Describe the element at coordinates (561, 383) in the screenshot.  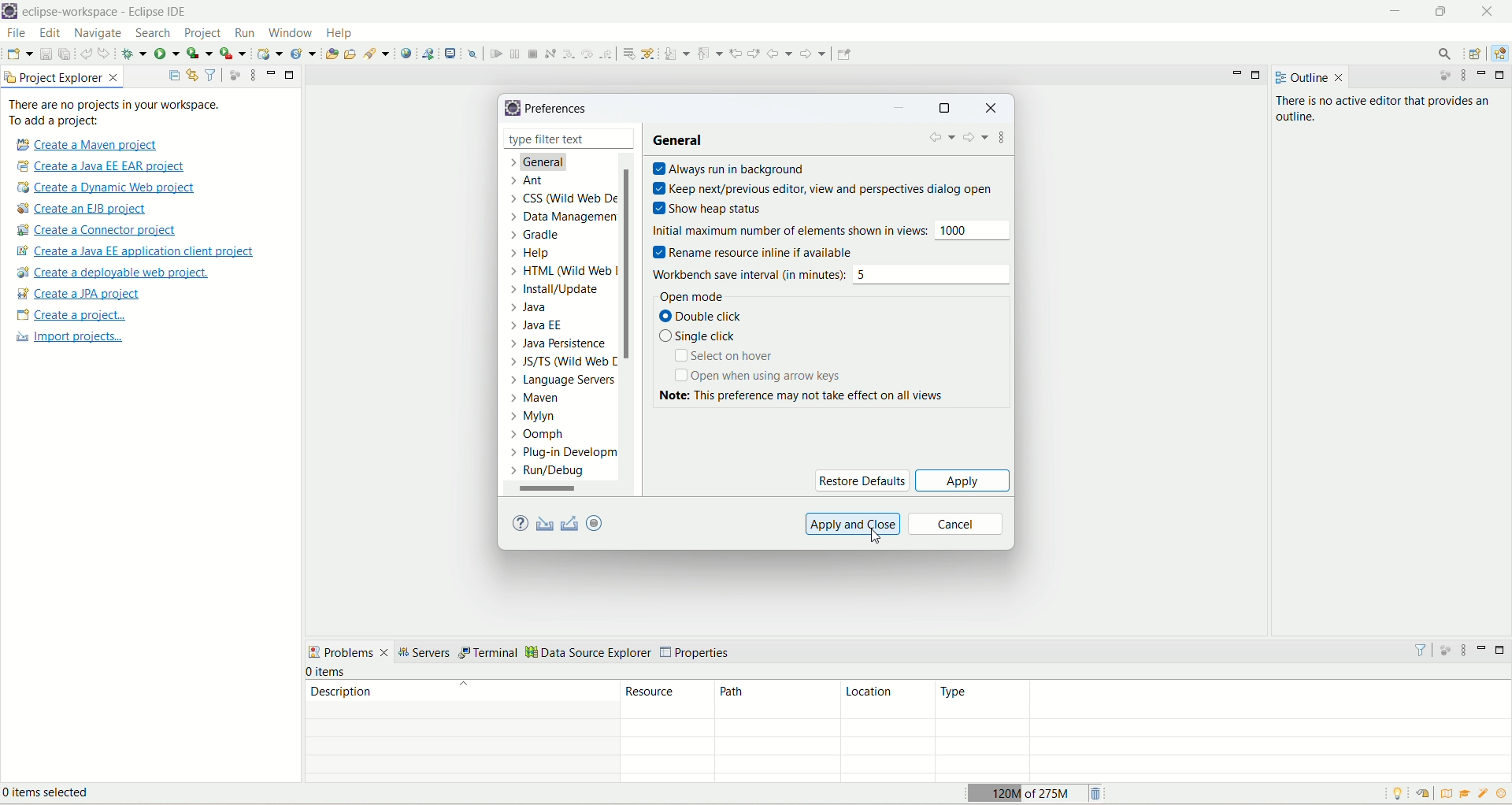
I see `language server` at that location.